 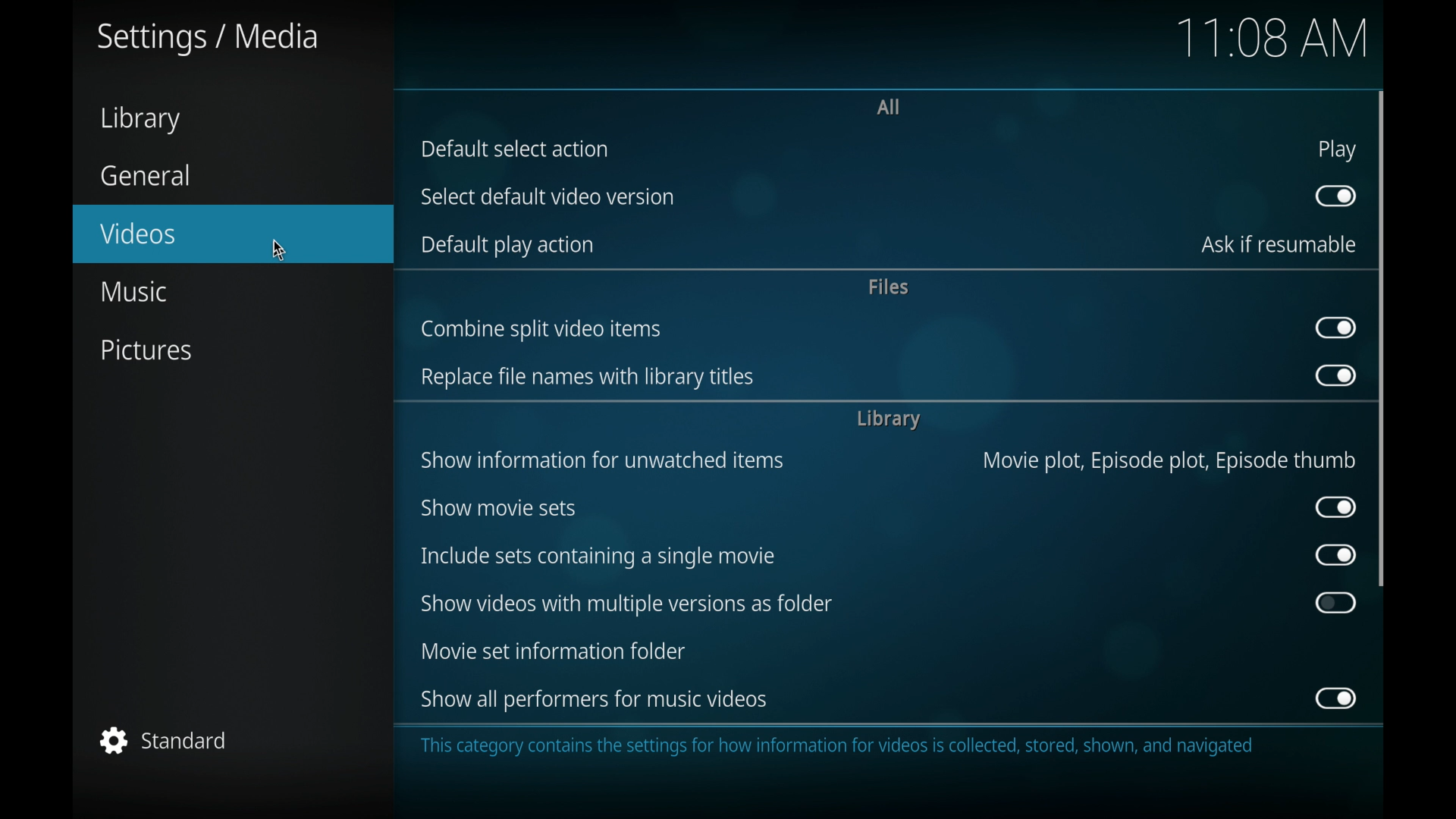 What do you see at coordinates (136, 291) in the screenshot?
I see `music` at bounding box center [136, 291].